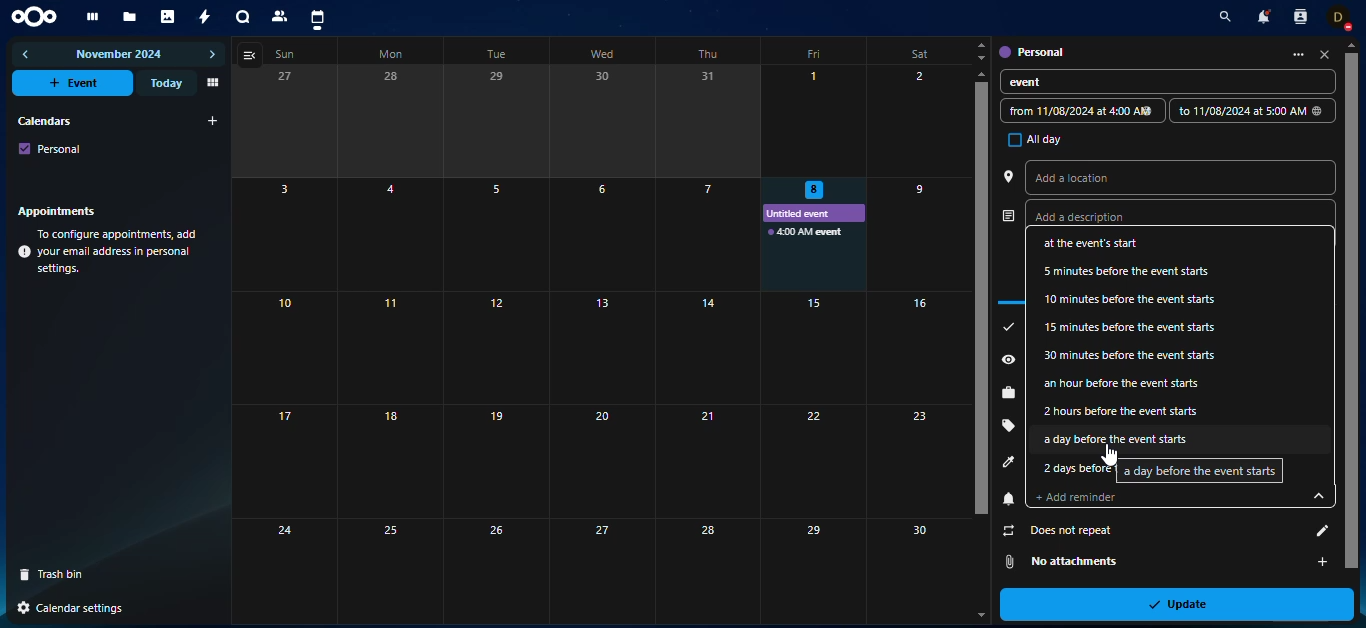 The image size is (1366, 628). I want to click on contact, so click(1299, 17).